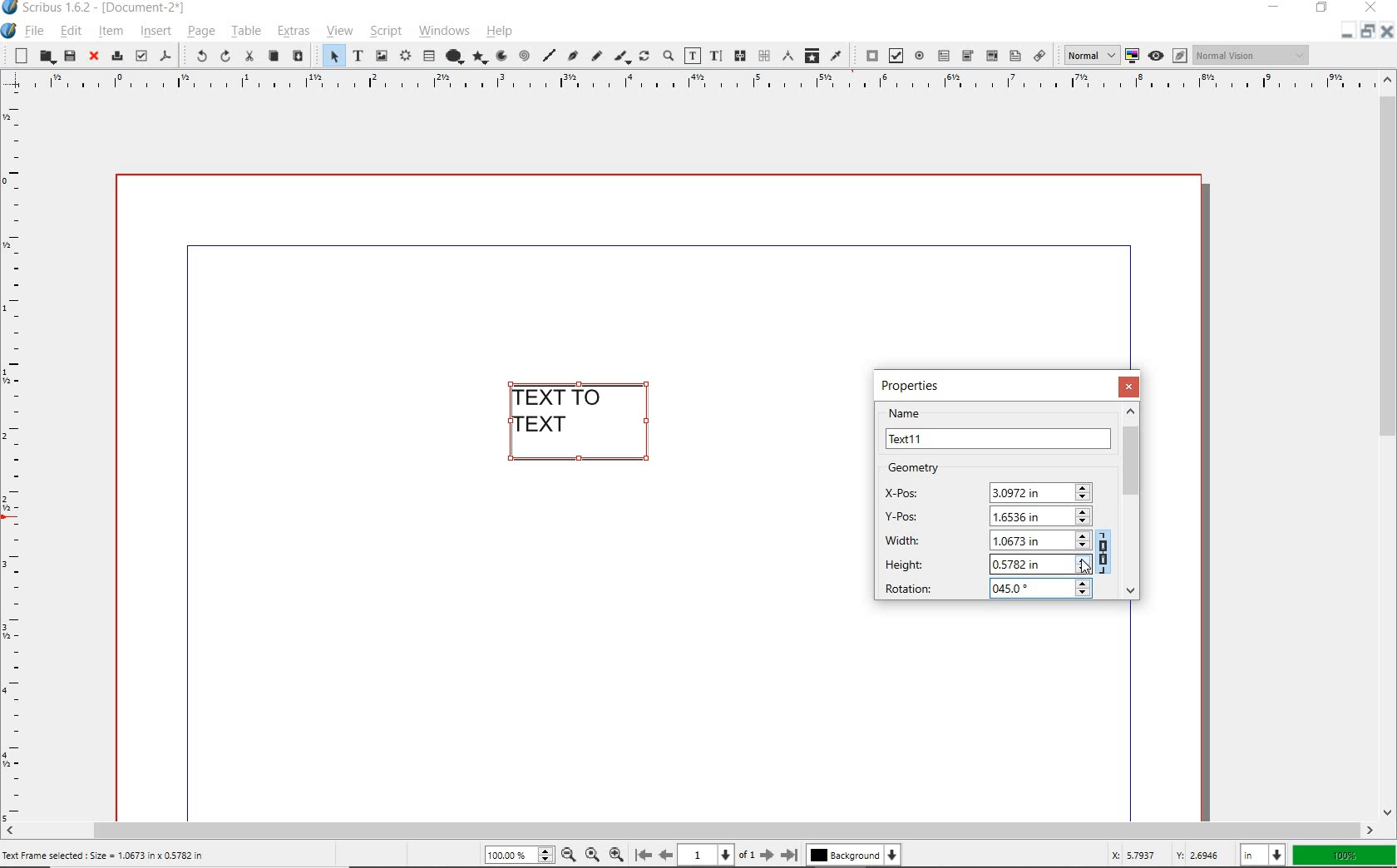  What do you see at coordinates (919, 56) in the screenshot?
I see `pdf radio button` at bounding box center [919, 56].